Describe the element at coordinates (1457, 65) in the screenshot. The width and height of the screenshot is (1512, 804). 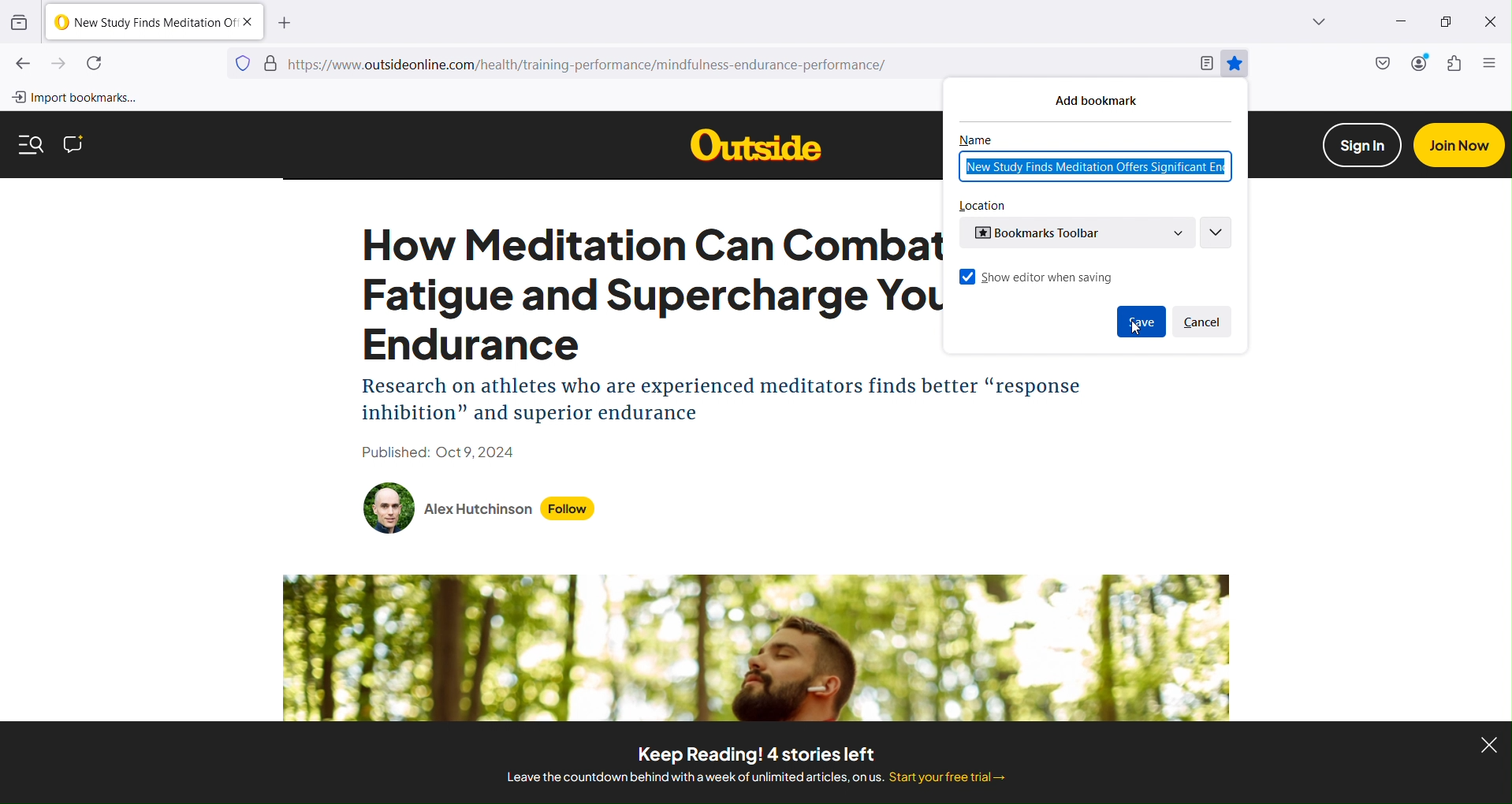
I see `Extensions` at that location.